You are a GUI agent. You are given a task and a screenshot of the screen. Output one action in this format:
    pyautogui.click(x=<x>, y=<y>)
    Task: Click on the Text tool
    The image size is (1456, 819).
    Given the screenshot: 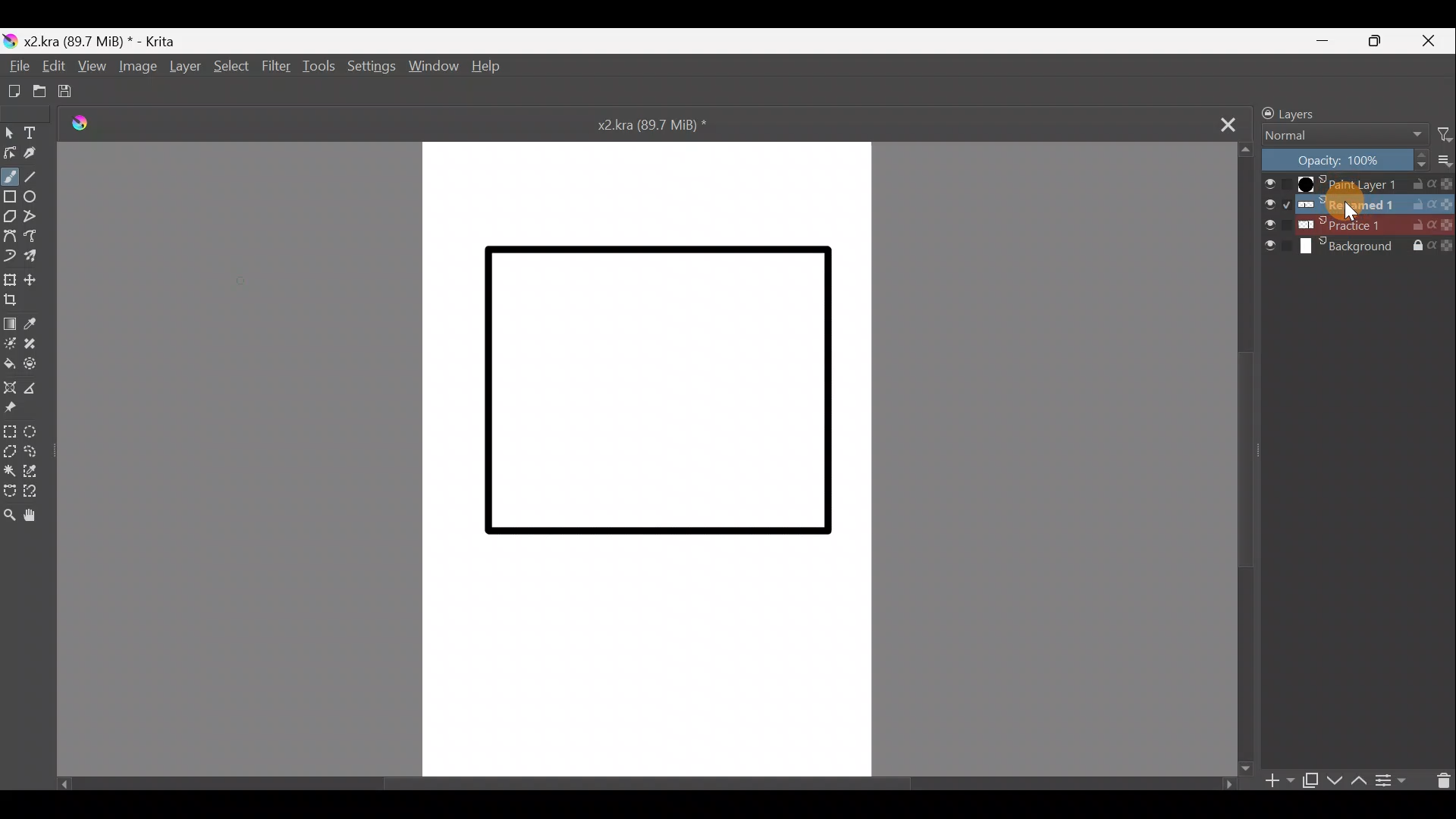 What is the action you would take?
    pyautogui.click(x=36, y=133)
    